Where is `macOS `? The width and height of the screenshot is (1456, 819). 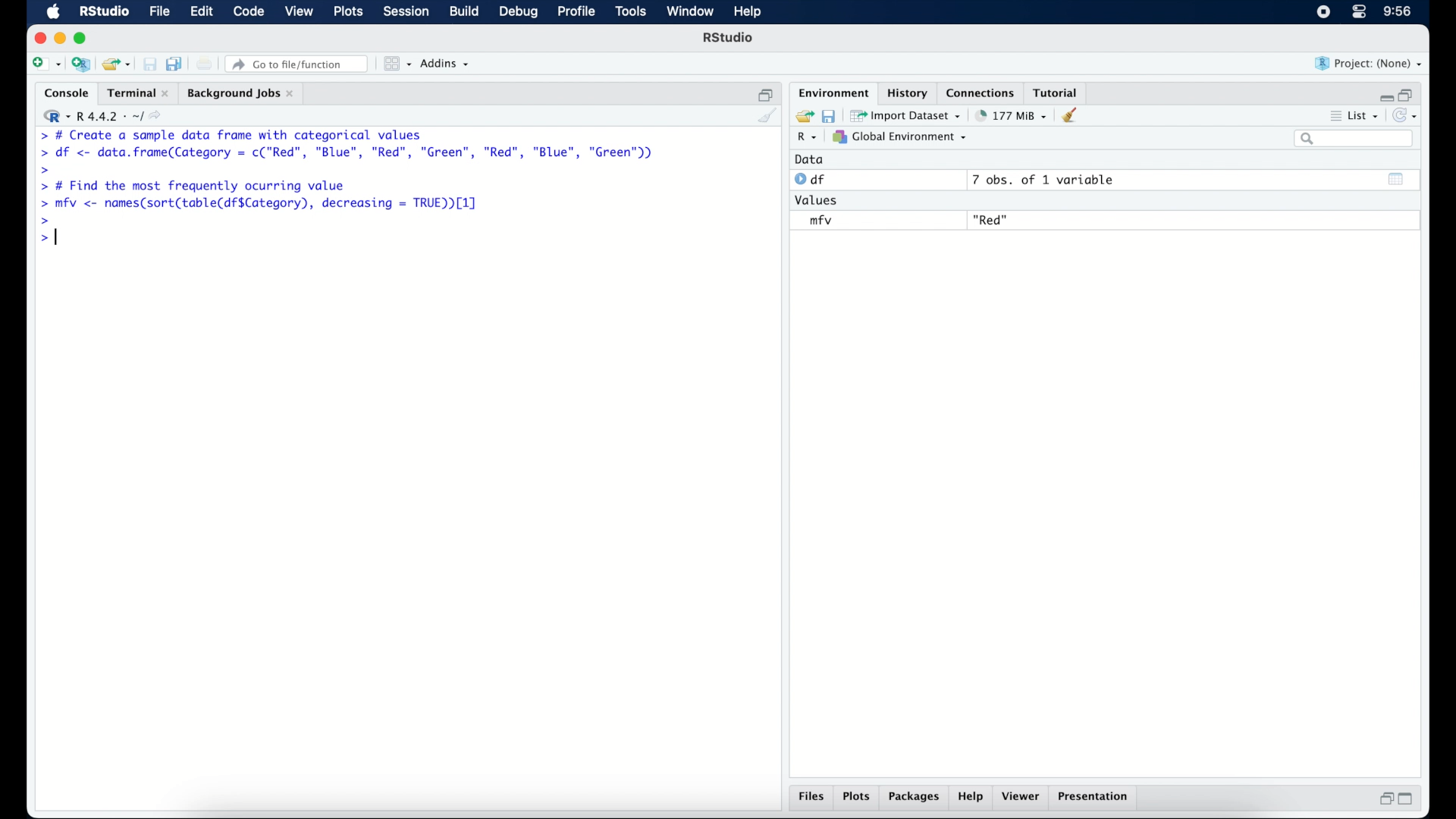
macOS  is located at coordinates (53, 12).